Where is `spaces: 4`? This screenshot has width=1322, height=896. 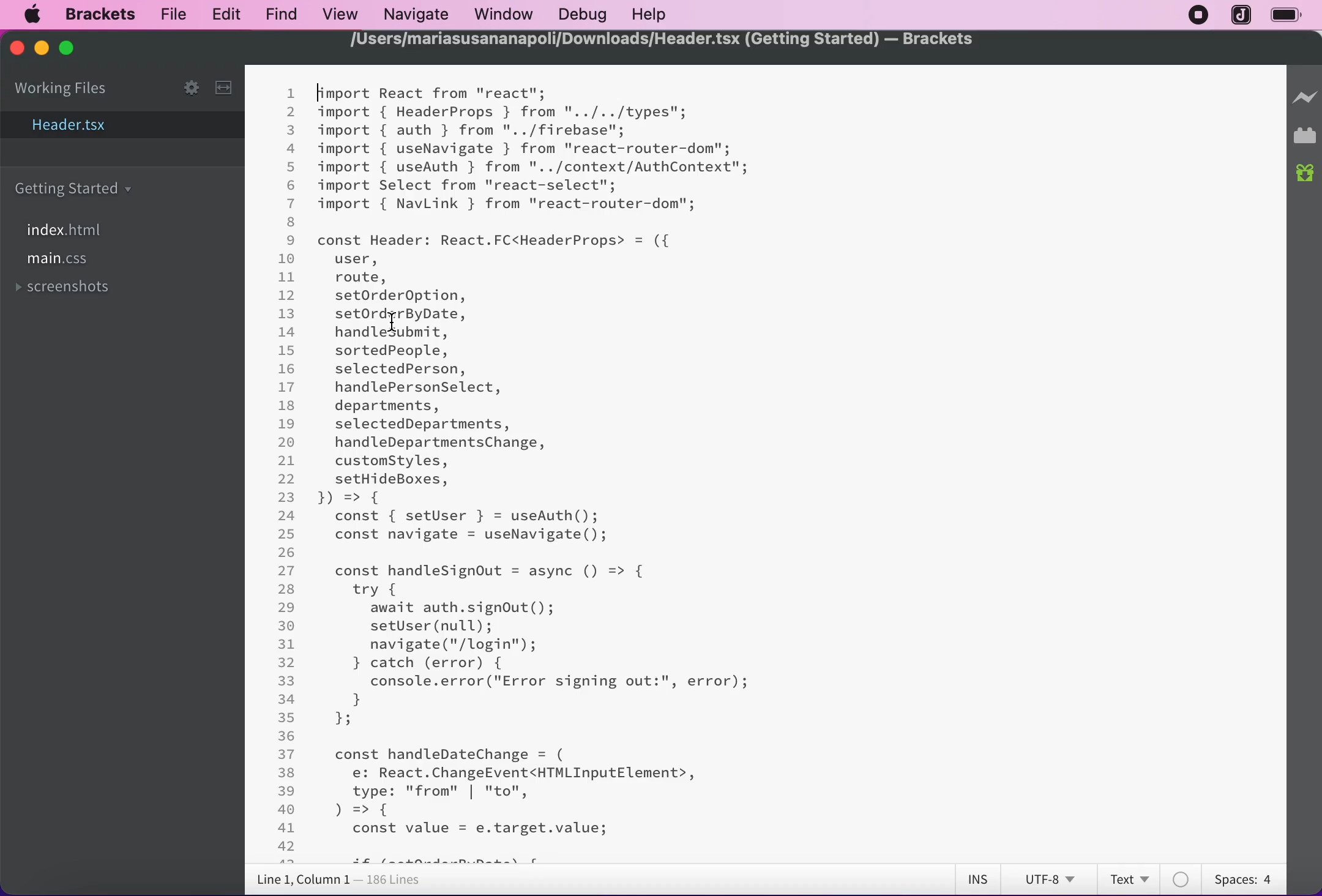
spaces: 4 is located at coordinates (1246, 879).